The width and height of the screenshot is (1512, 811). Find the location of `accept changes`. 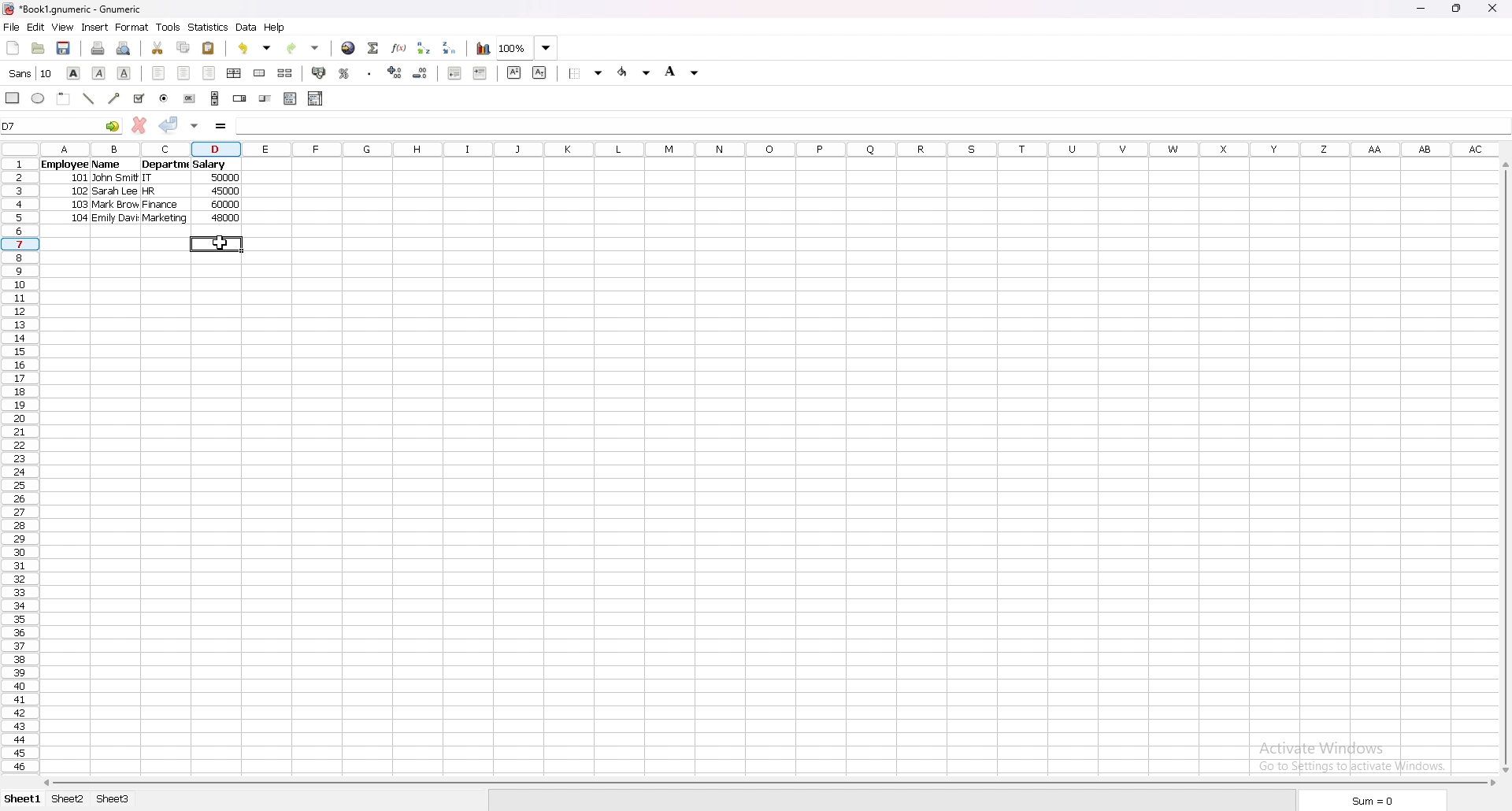

accept changes is located at coordinates (169, 125).